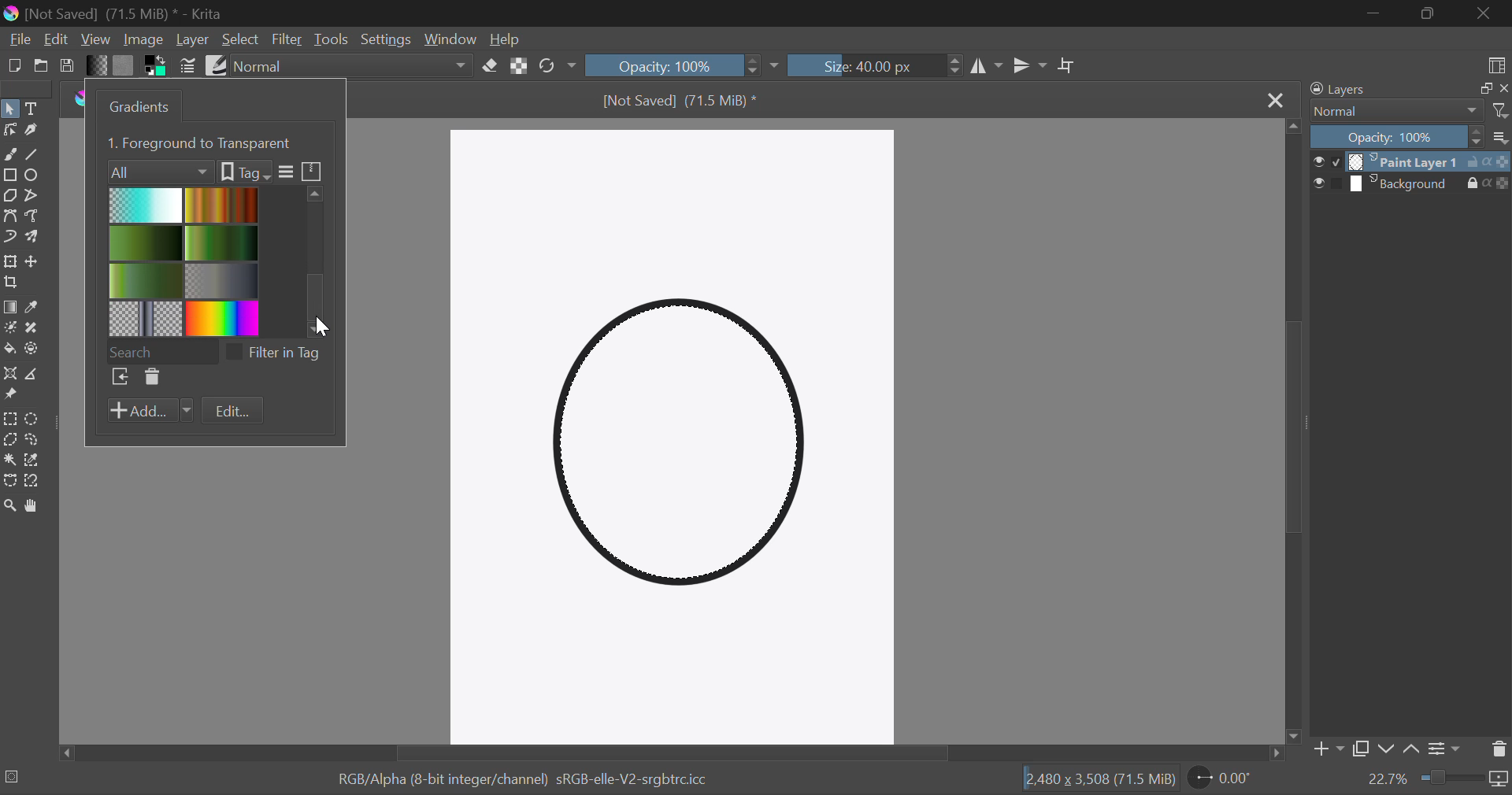 The image size is (1512, 795). I want to click on cursor, so click(325, 328).